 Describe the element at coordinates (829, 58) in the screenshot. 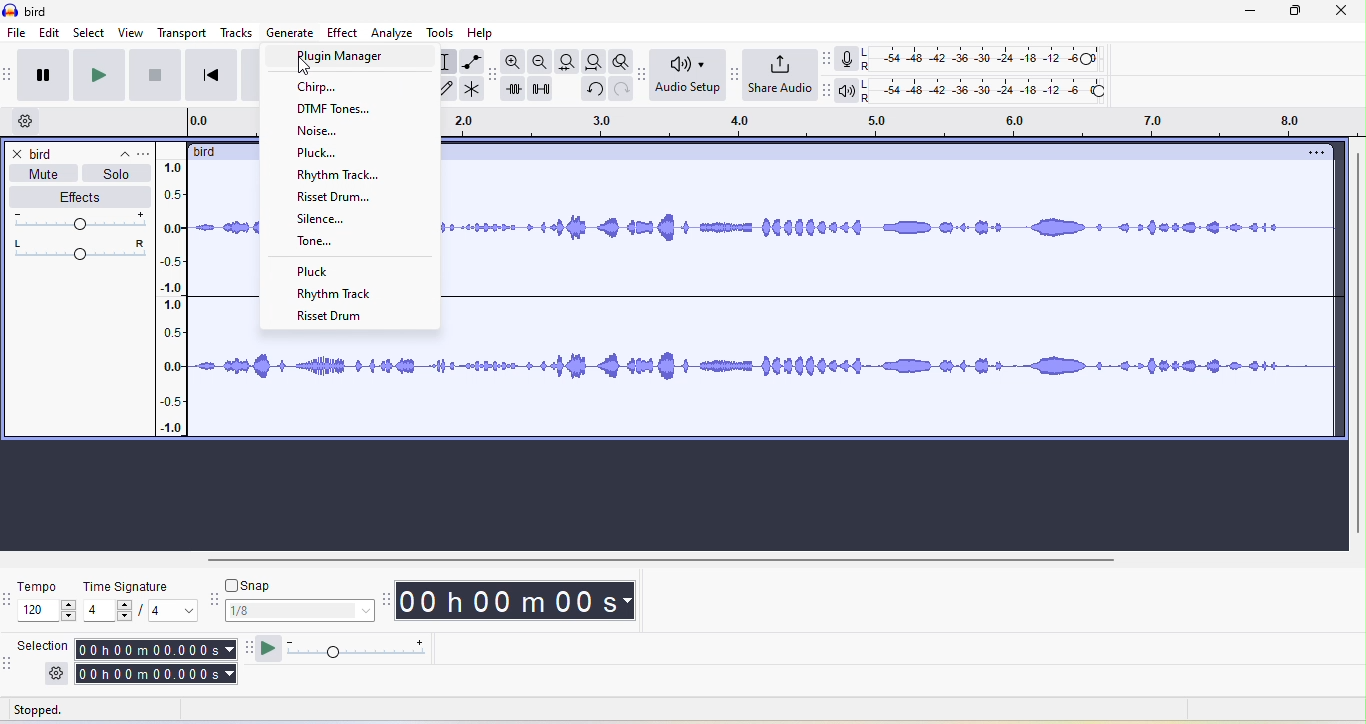

I see `audacity record meter toolbar` at that location.